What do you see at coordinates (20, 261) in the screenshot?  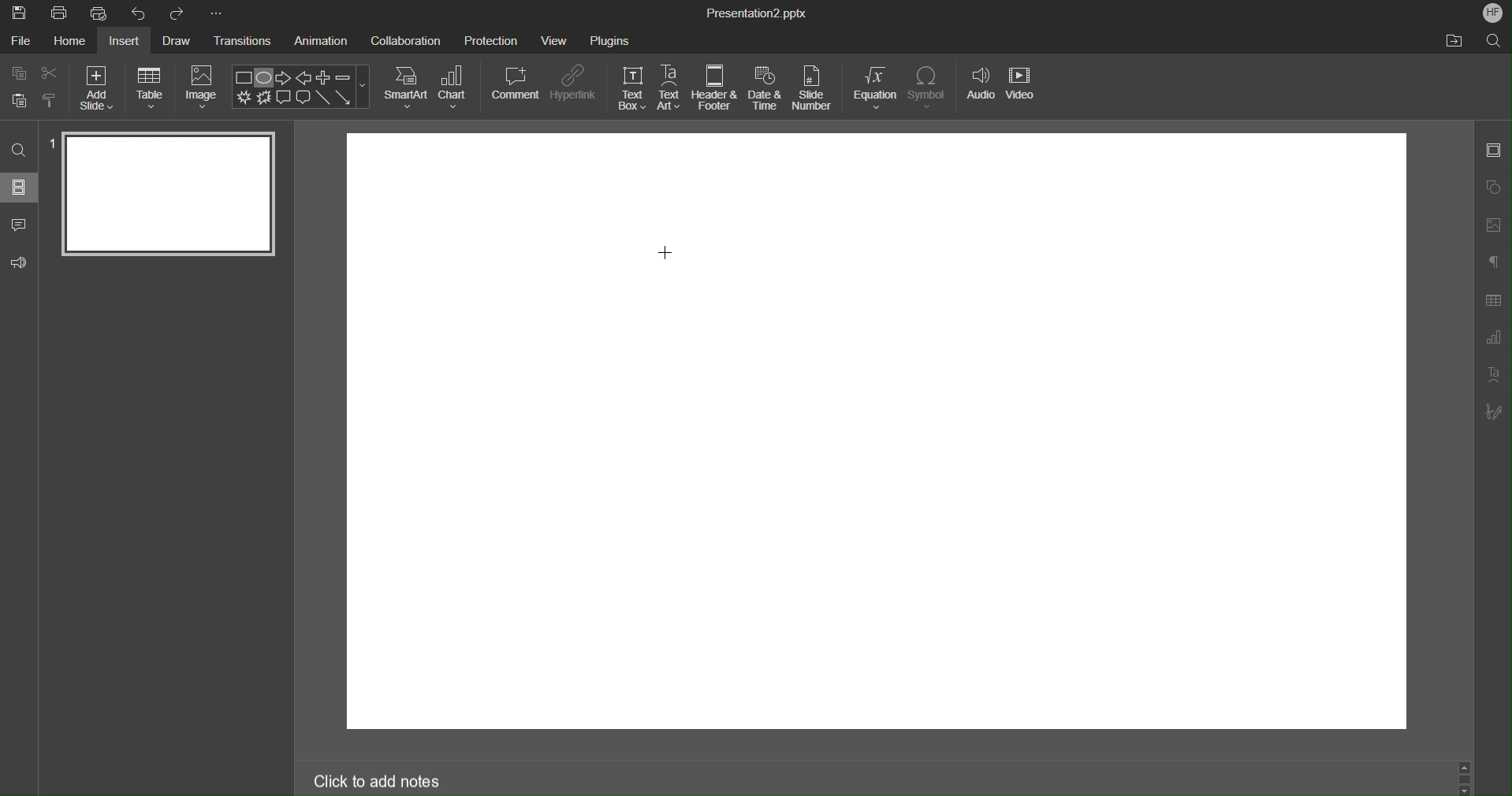 I see `Feedback & Support` at bounding box center [20, 261].